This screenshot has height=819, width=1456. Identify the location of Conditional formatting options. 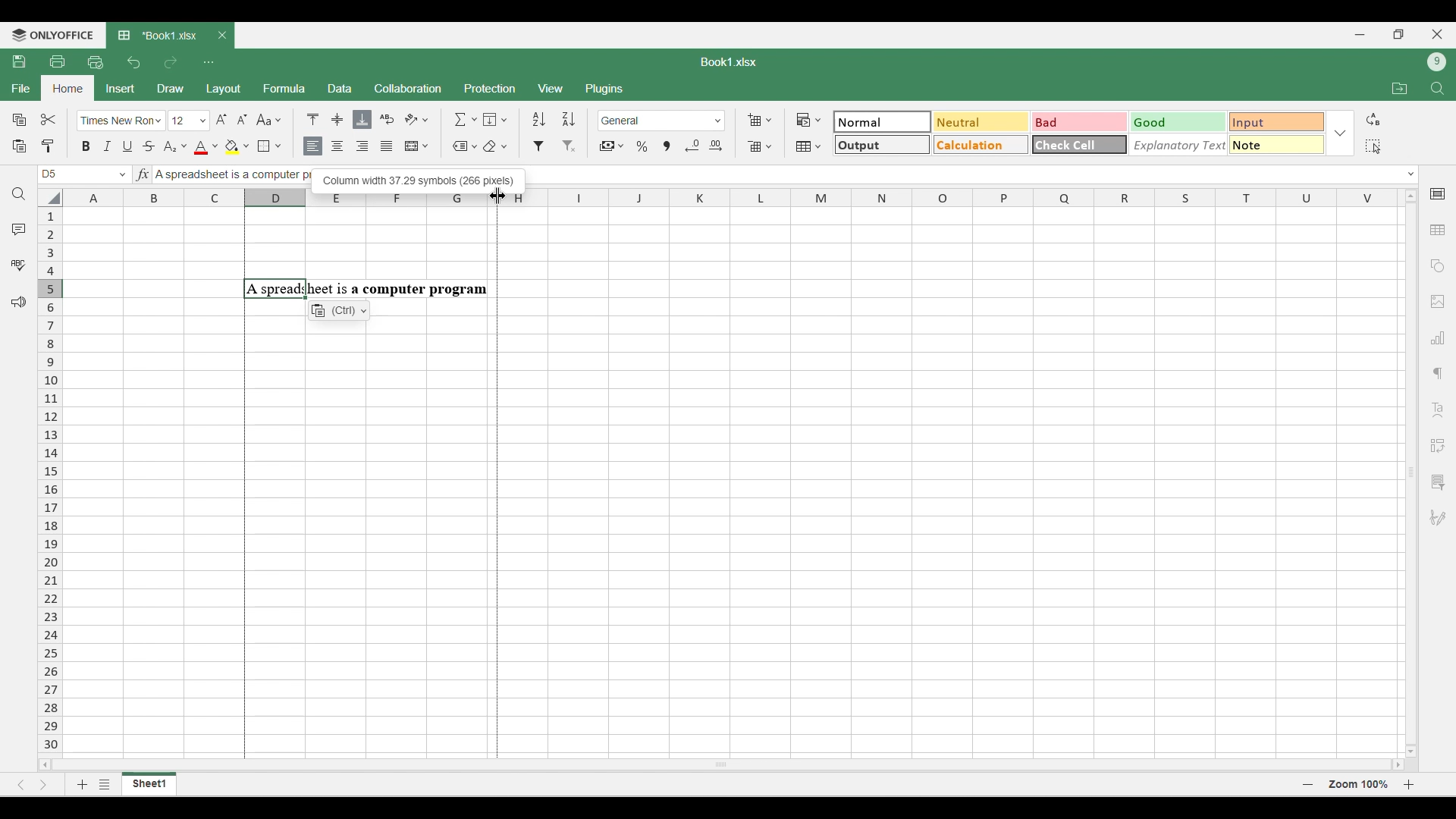
(809, 120).